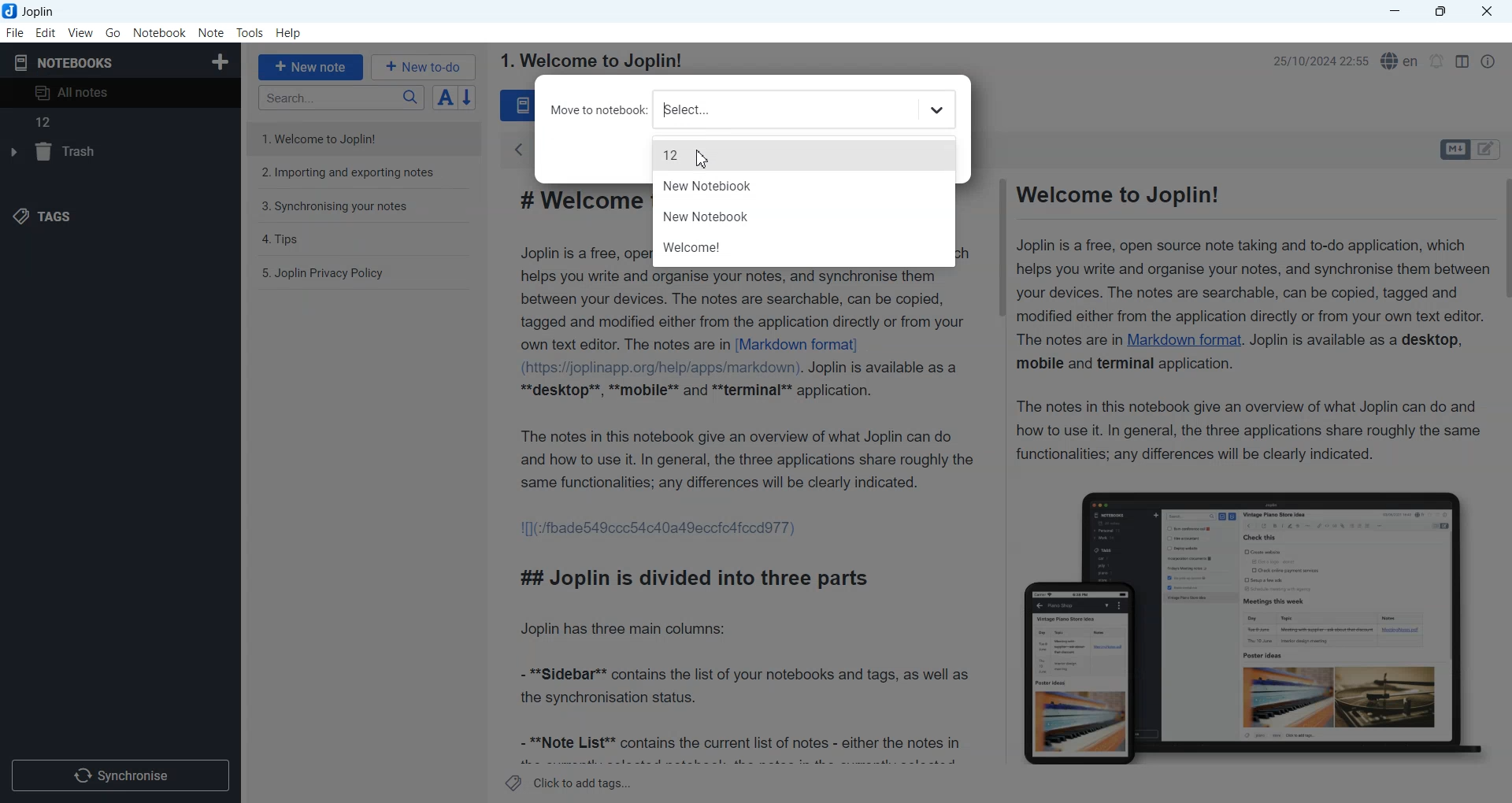 The image size is (1512, 803). Describe the element at coordinates (221, 60) in the screenshot. I see `Create Notebook` at that location.